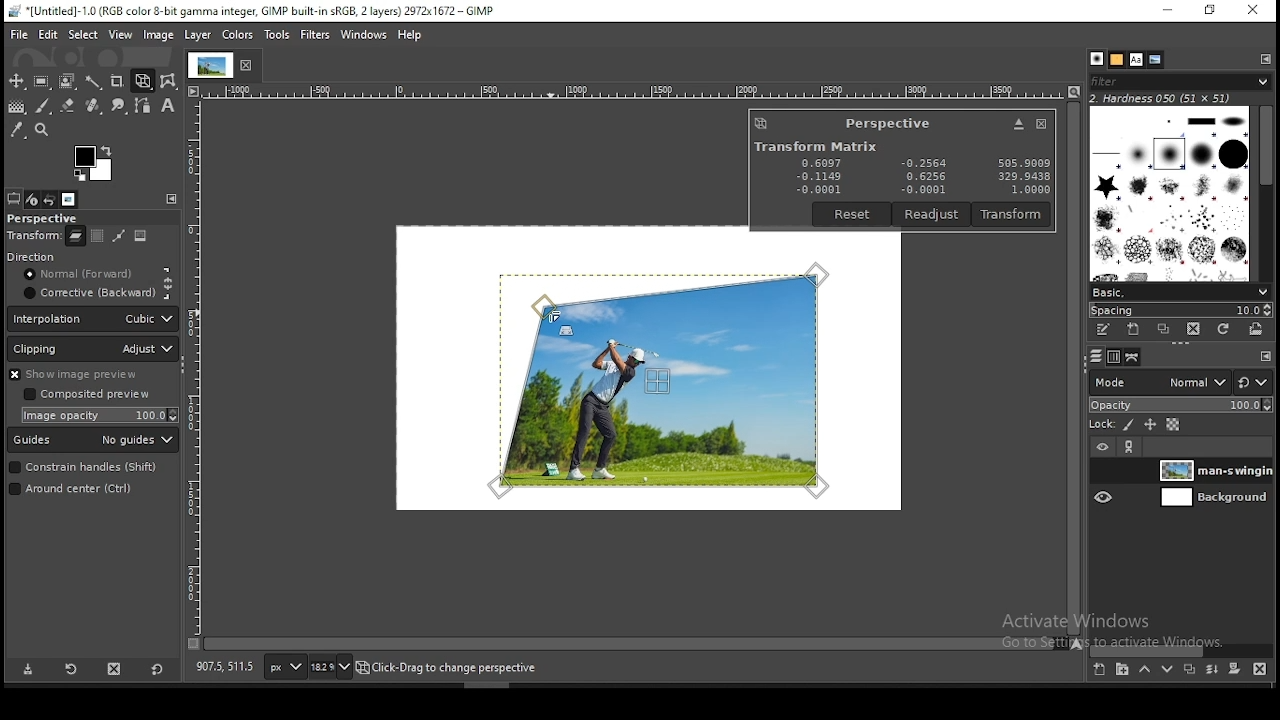  I want to click on tab, so click(209, 65).